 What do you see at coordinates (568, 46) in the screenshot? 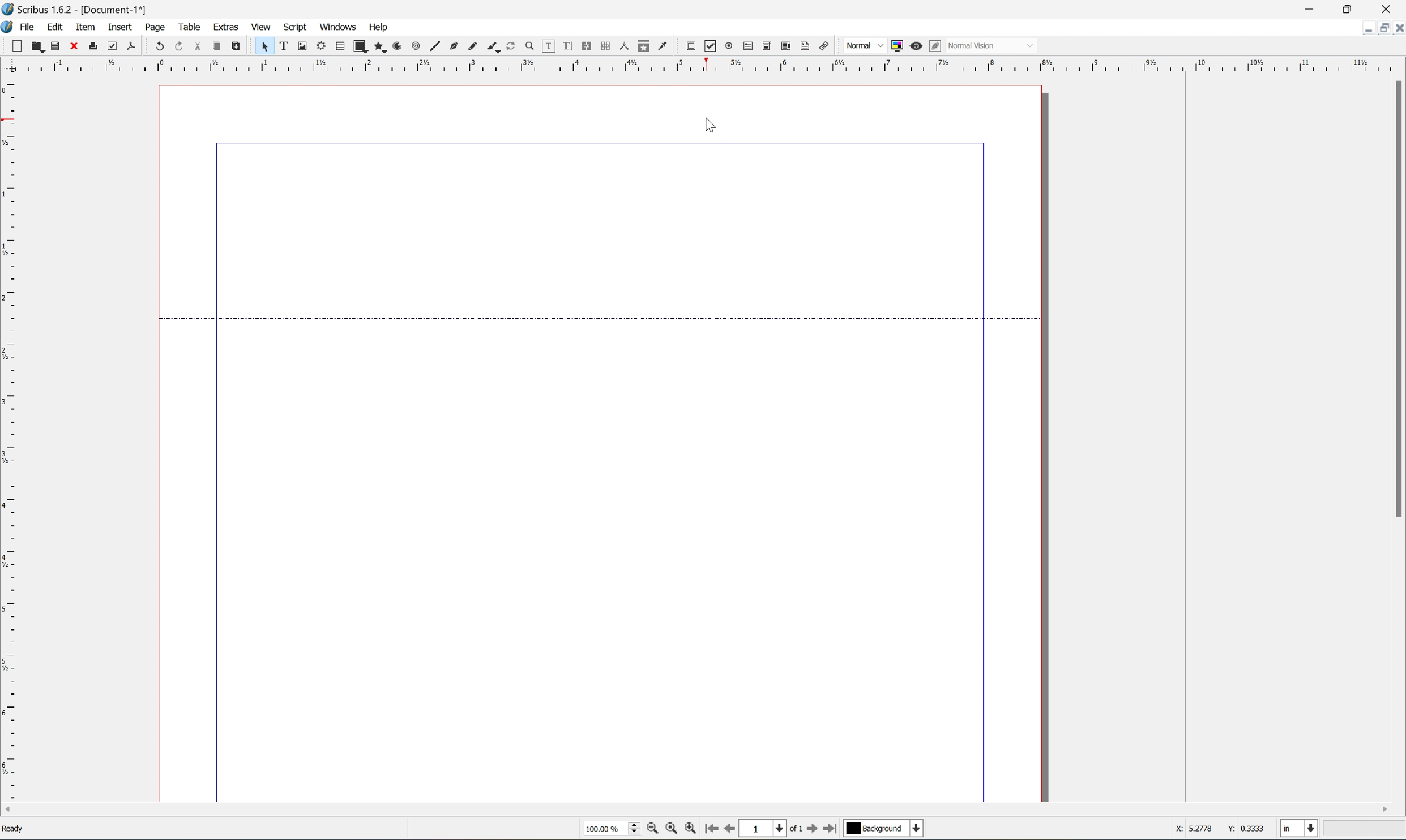
I see `edit text with story editor` at bounding box center [568, 46].